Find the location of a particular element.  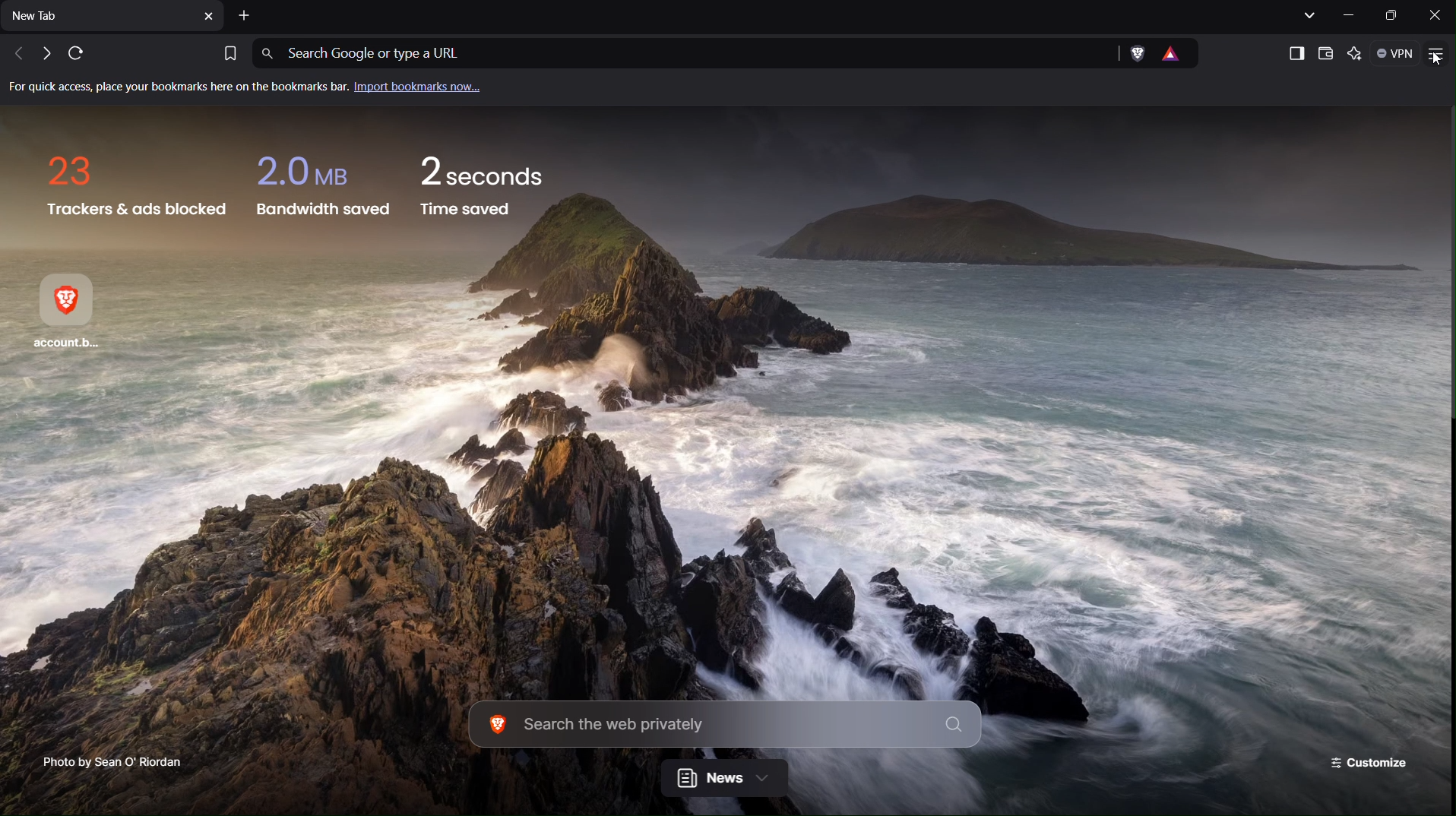

Trackers & ads blocked is located at coordinates (133, 184).